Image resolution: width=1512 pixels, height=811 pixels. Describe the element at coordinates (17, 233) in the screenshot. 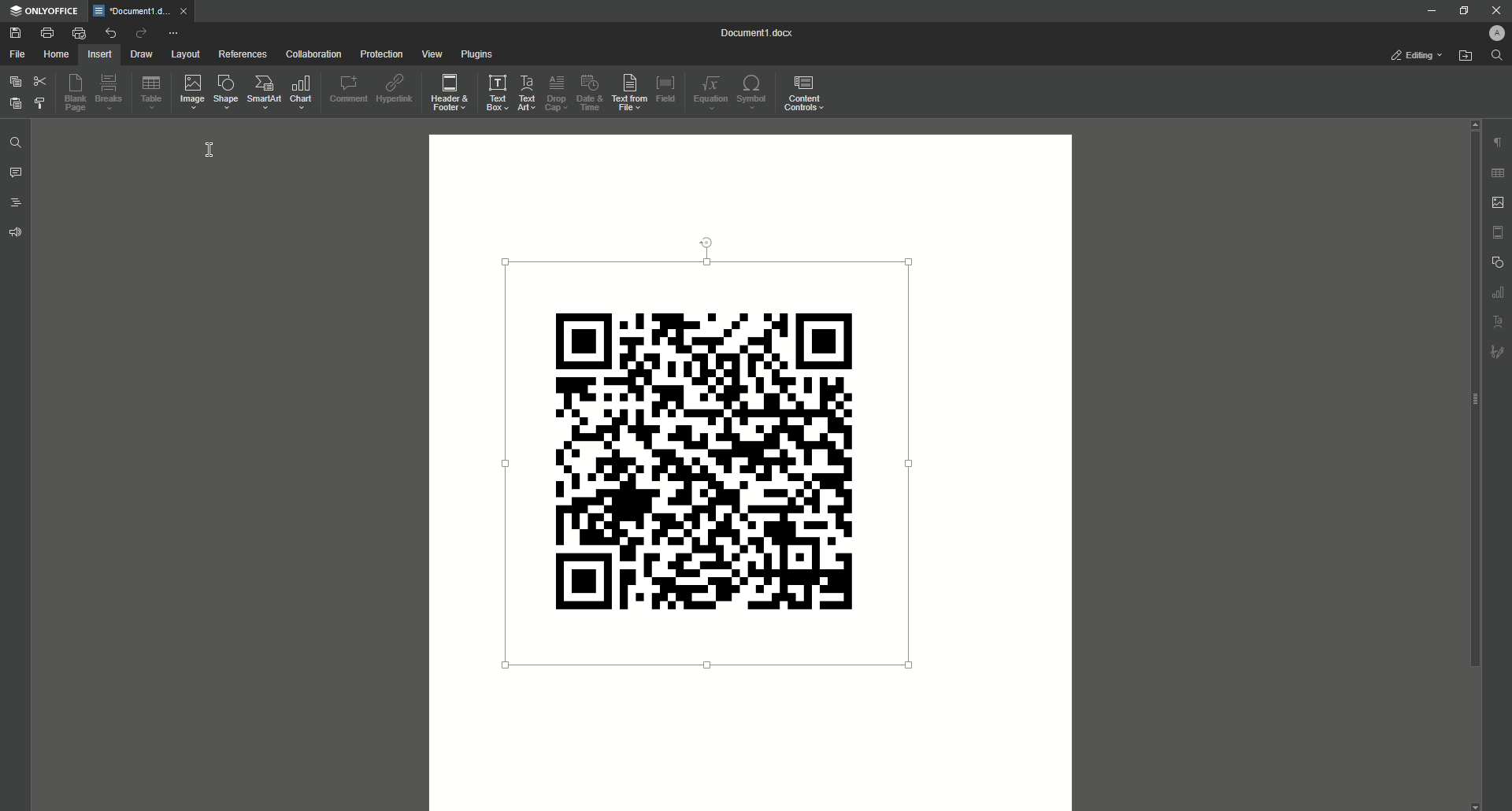

I see `Feedback` at that location.